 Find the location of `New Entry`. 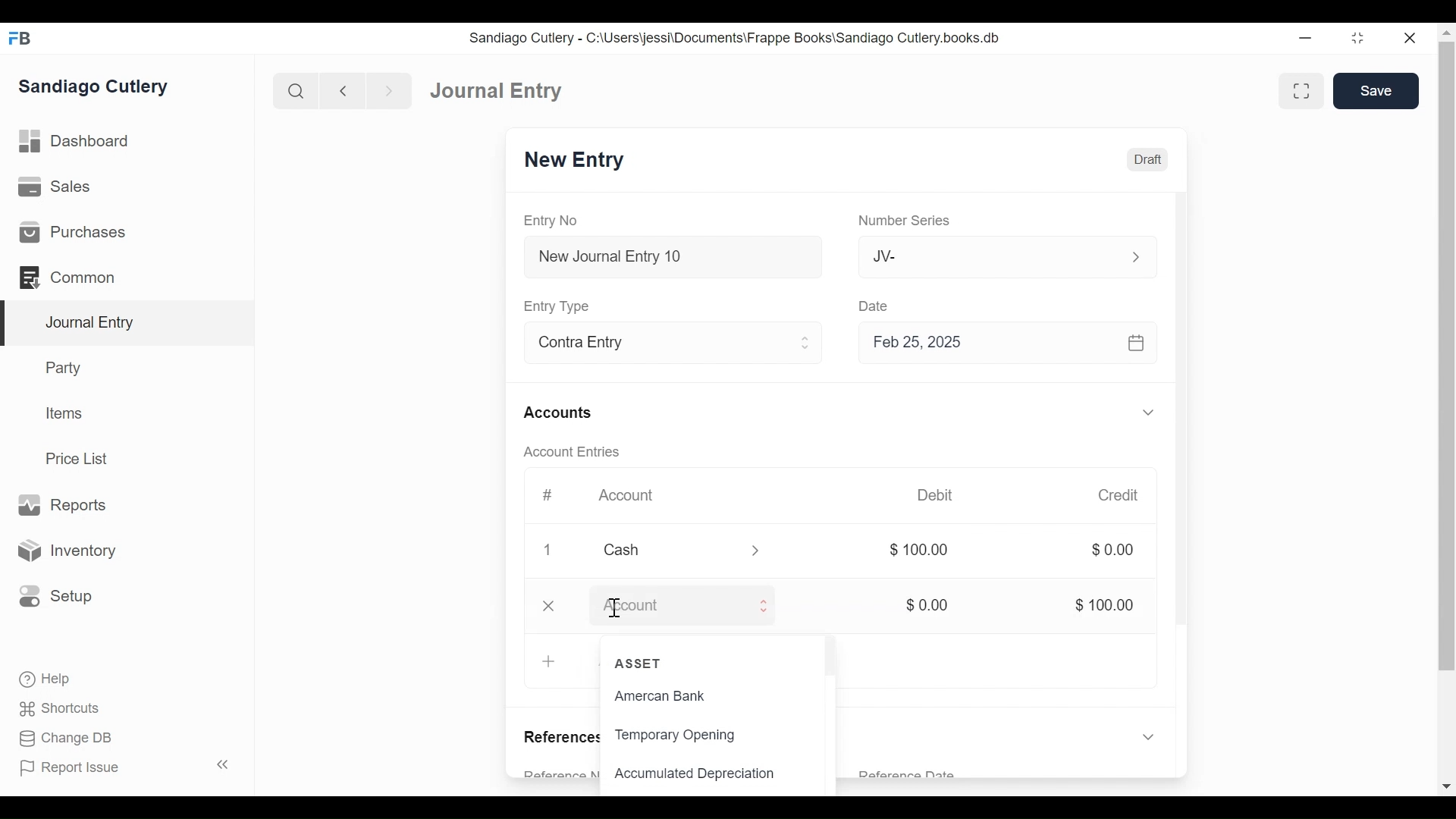

New Entry is located at coordinates (579, 162).